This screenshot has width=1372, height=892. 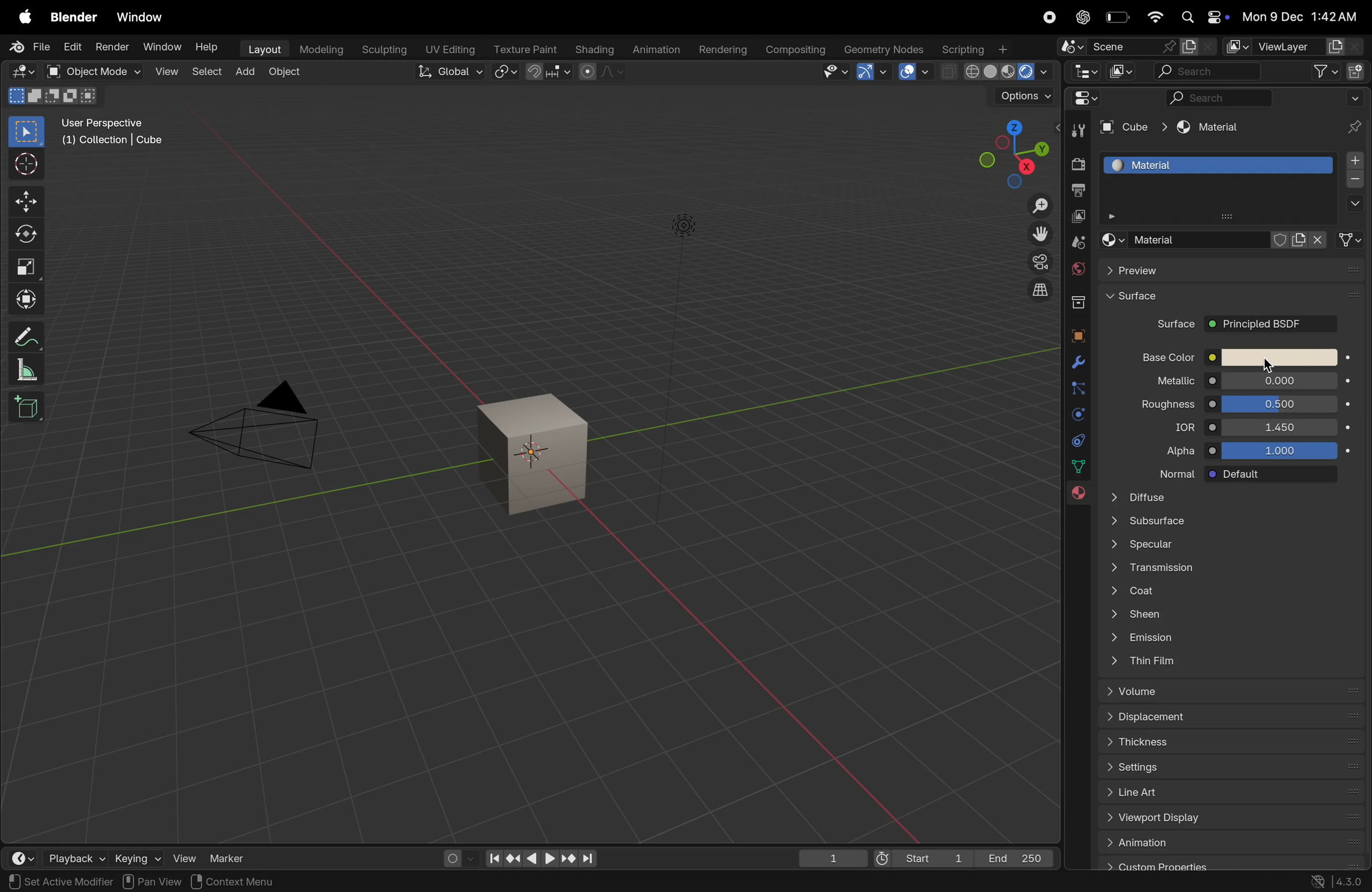 I want to click on Edit, so click(x=73, y=46).